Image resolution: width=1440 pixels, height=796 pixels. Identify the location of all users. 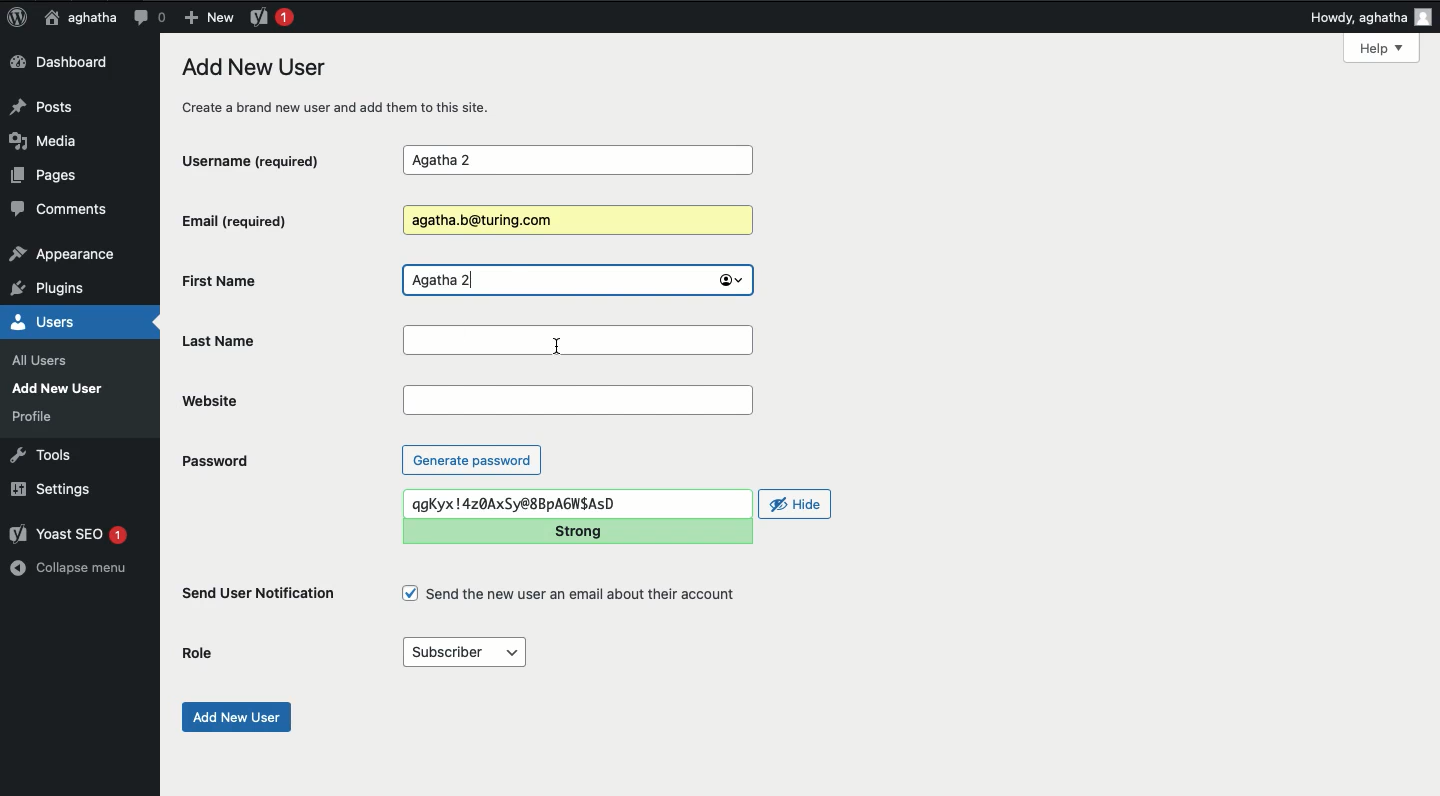
(45, 361).